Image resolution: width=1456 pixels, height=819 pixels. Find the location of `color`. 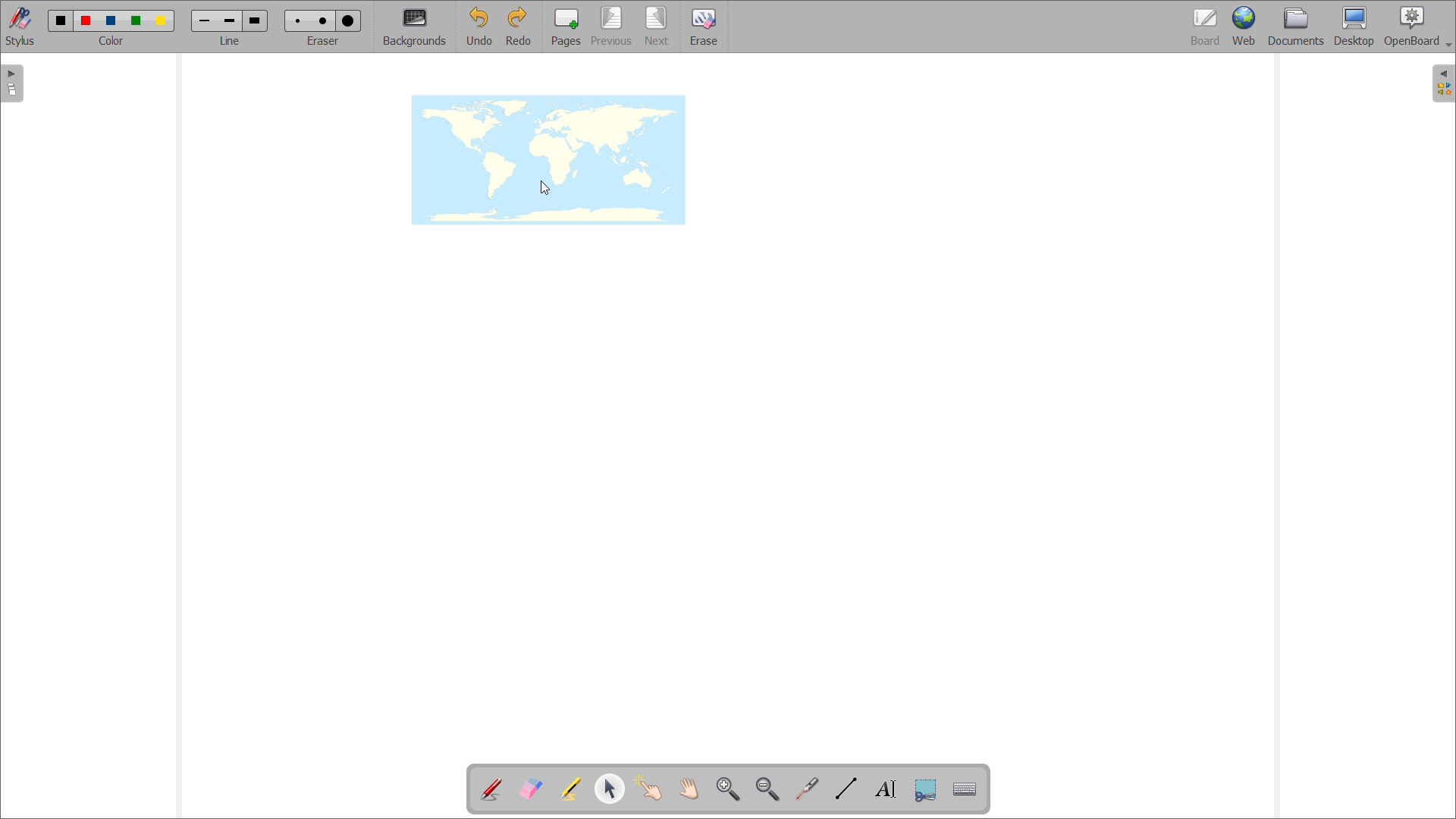

color is located at coordinates (114, 41).